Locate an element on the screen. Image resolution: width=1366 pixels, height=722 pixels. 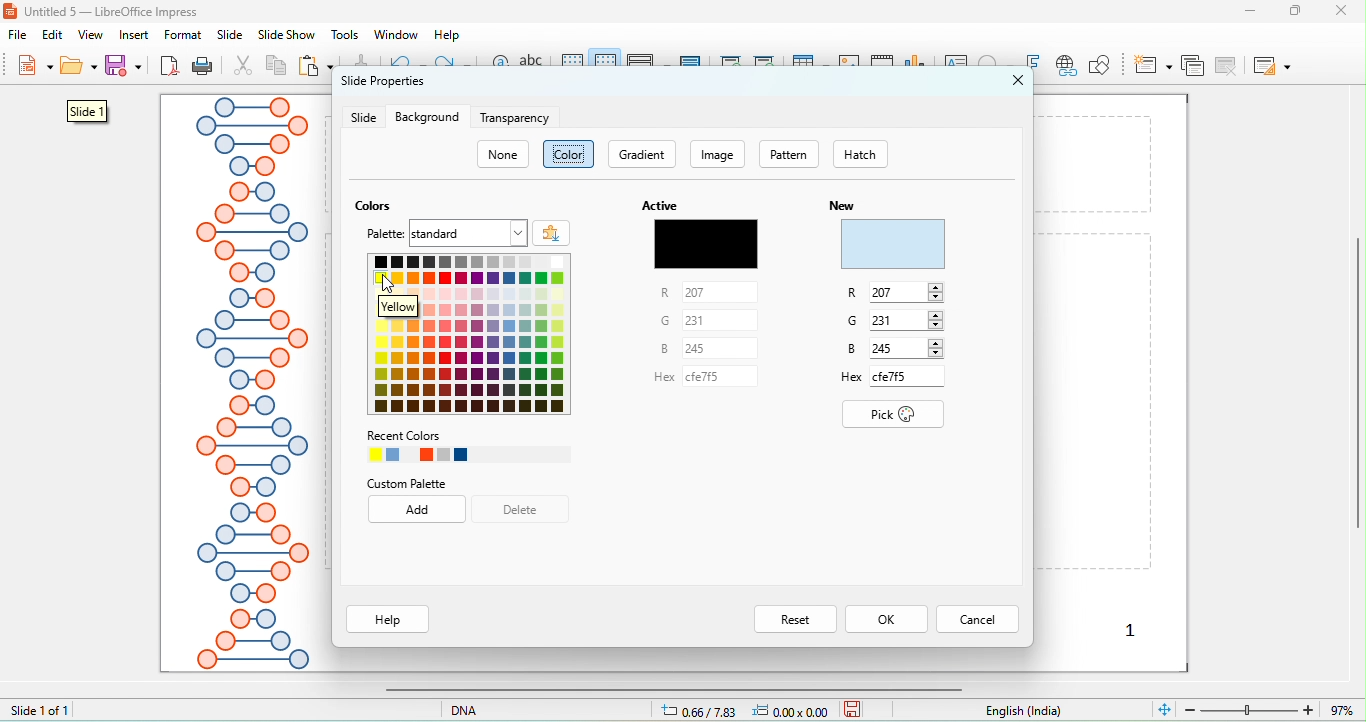
DNA is located at coordinates (492, 709).